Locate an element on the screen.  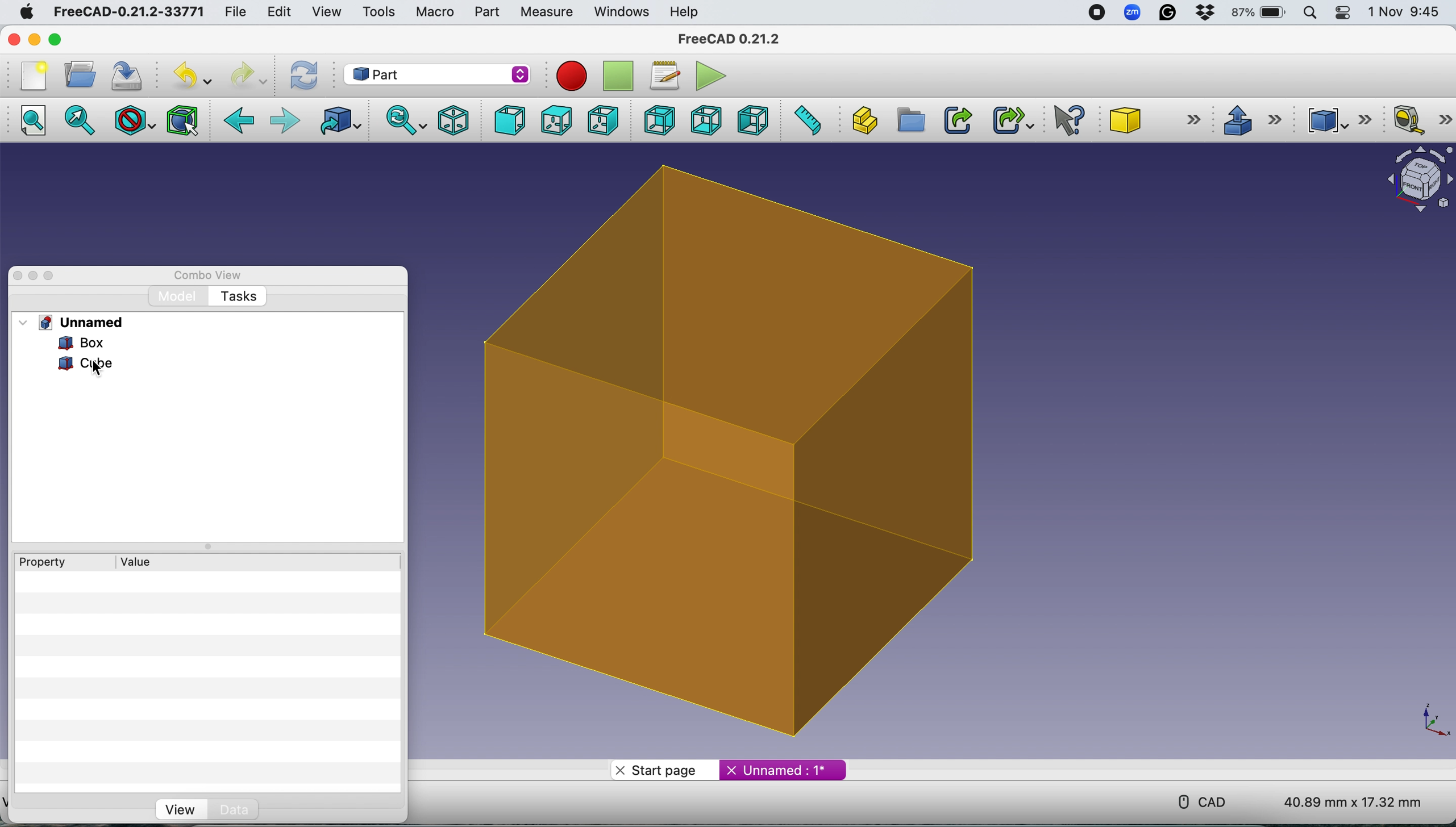
Make sub link is located at coordinates (1008, 118).